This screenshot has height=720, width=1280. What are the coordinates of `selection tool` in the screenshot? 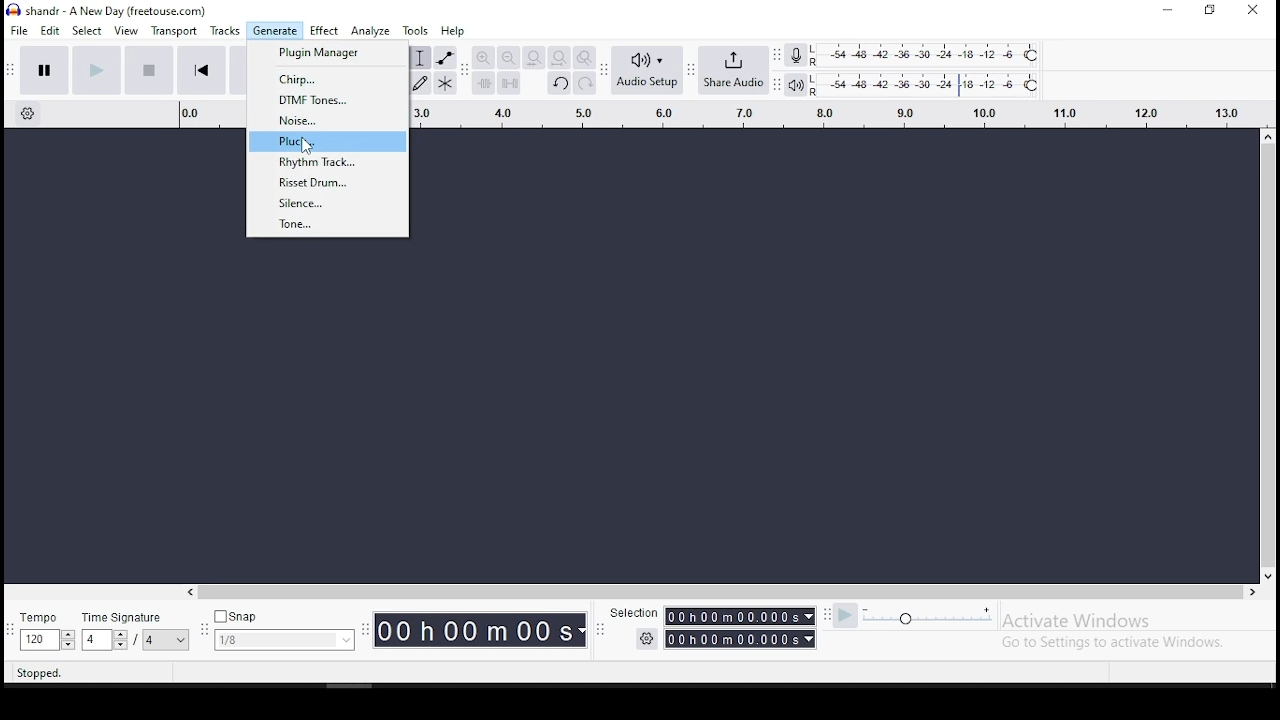 It's located at (419, 57).